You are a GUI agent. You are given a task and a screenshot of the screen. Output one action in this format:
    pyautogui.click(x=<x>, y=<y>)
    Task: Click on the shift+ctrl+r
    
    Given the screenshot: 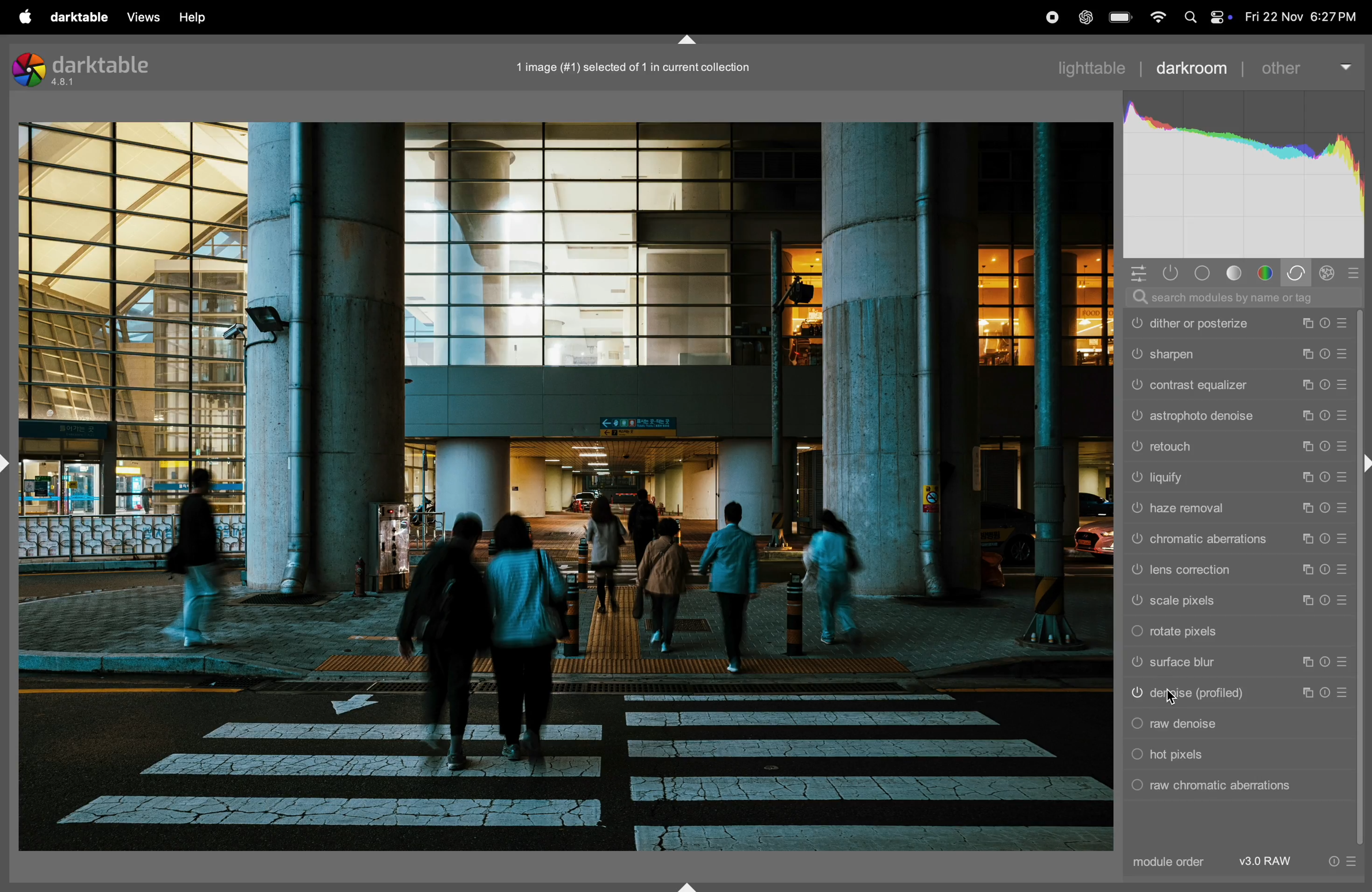 What is the action you would take?
    pyautogui.click(x=1363, y=463)
    